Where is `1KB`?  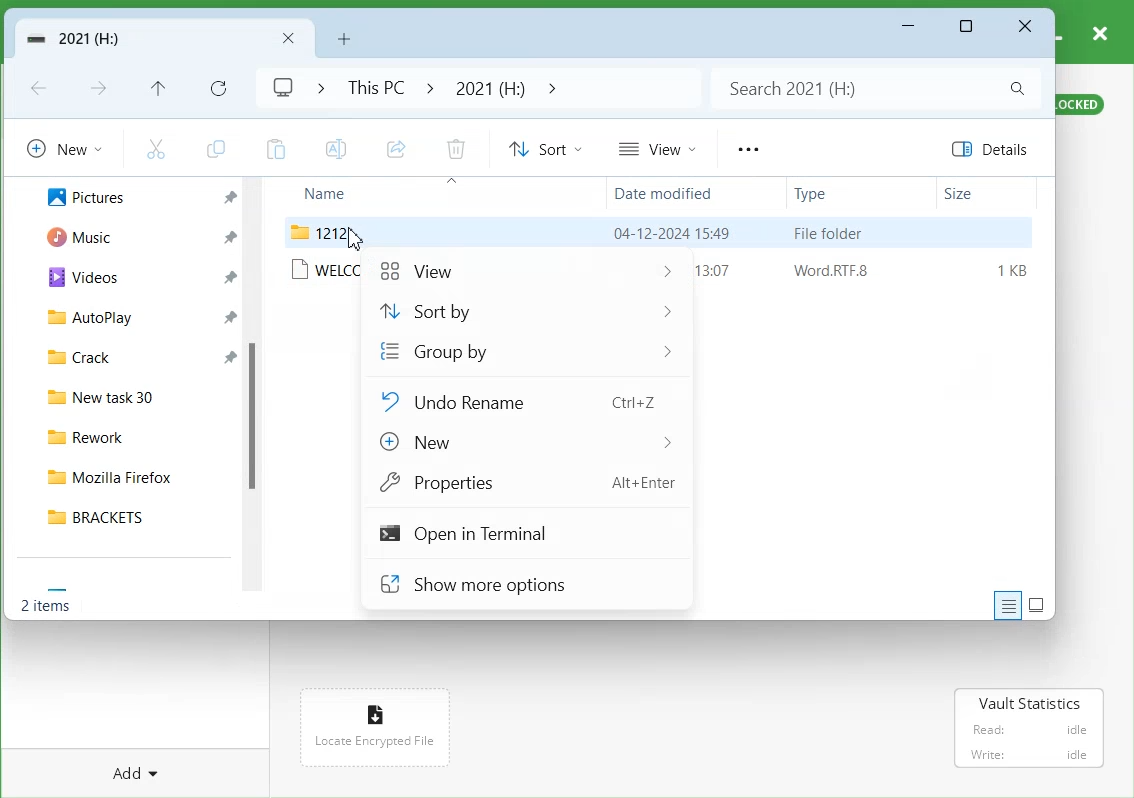
1KB is located at coordinates (1012, 270).